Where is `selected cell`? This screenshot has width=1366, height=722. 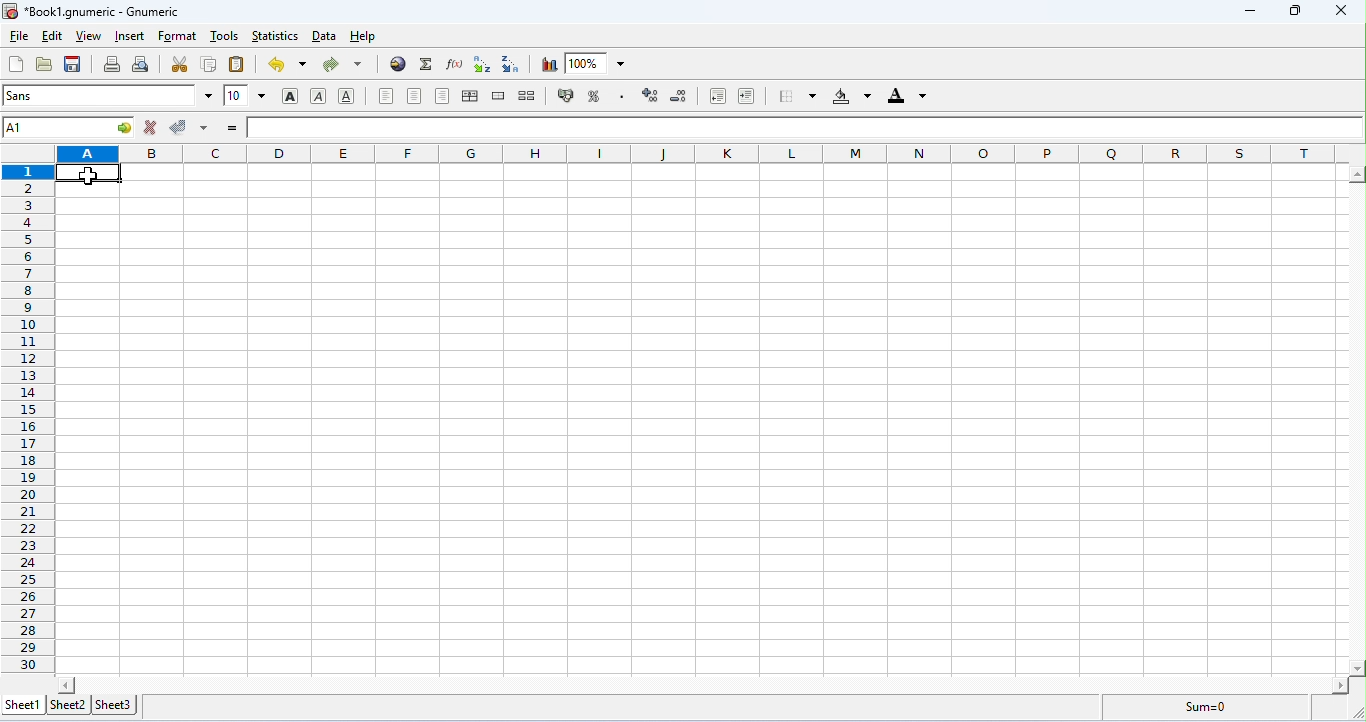
selected cell is located at coordinates (67, 128).